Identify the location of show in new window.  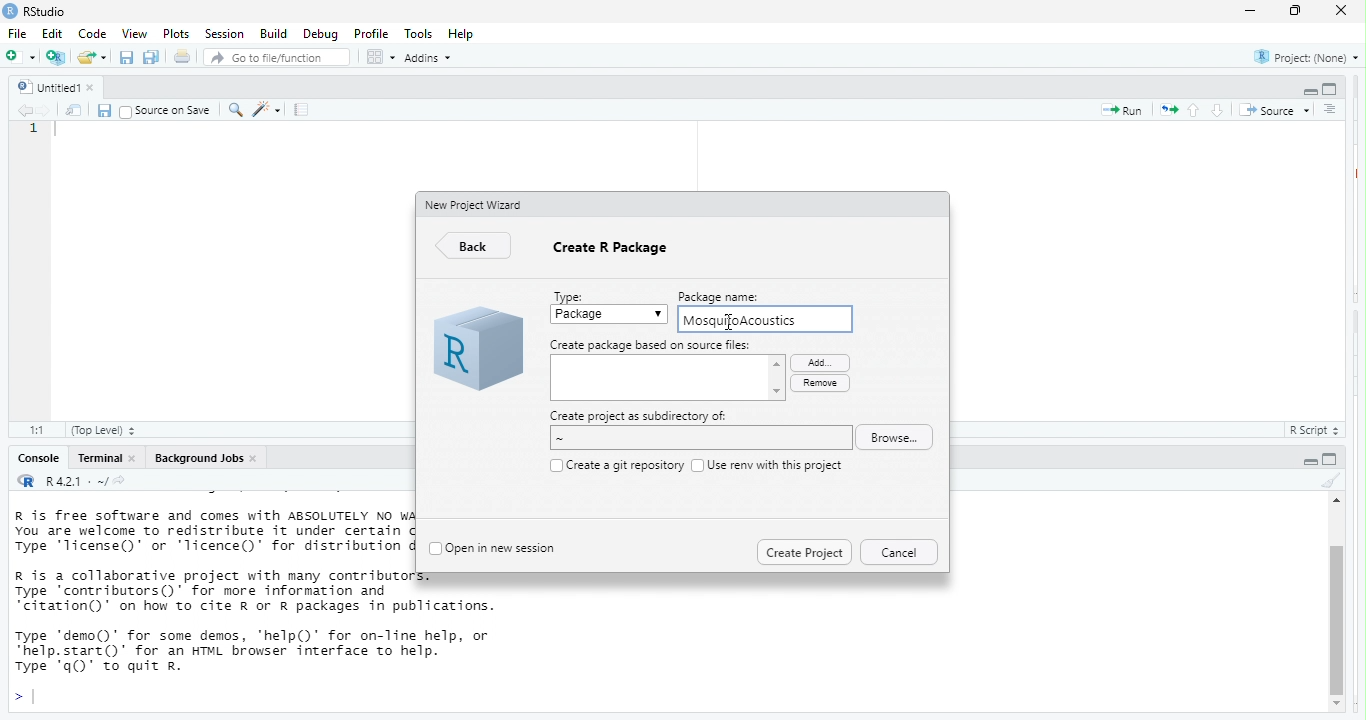
(72, 111).